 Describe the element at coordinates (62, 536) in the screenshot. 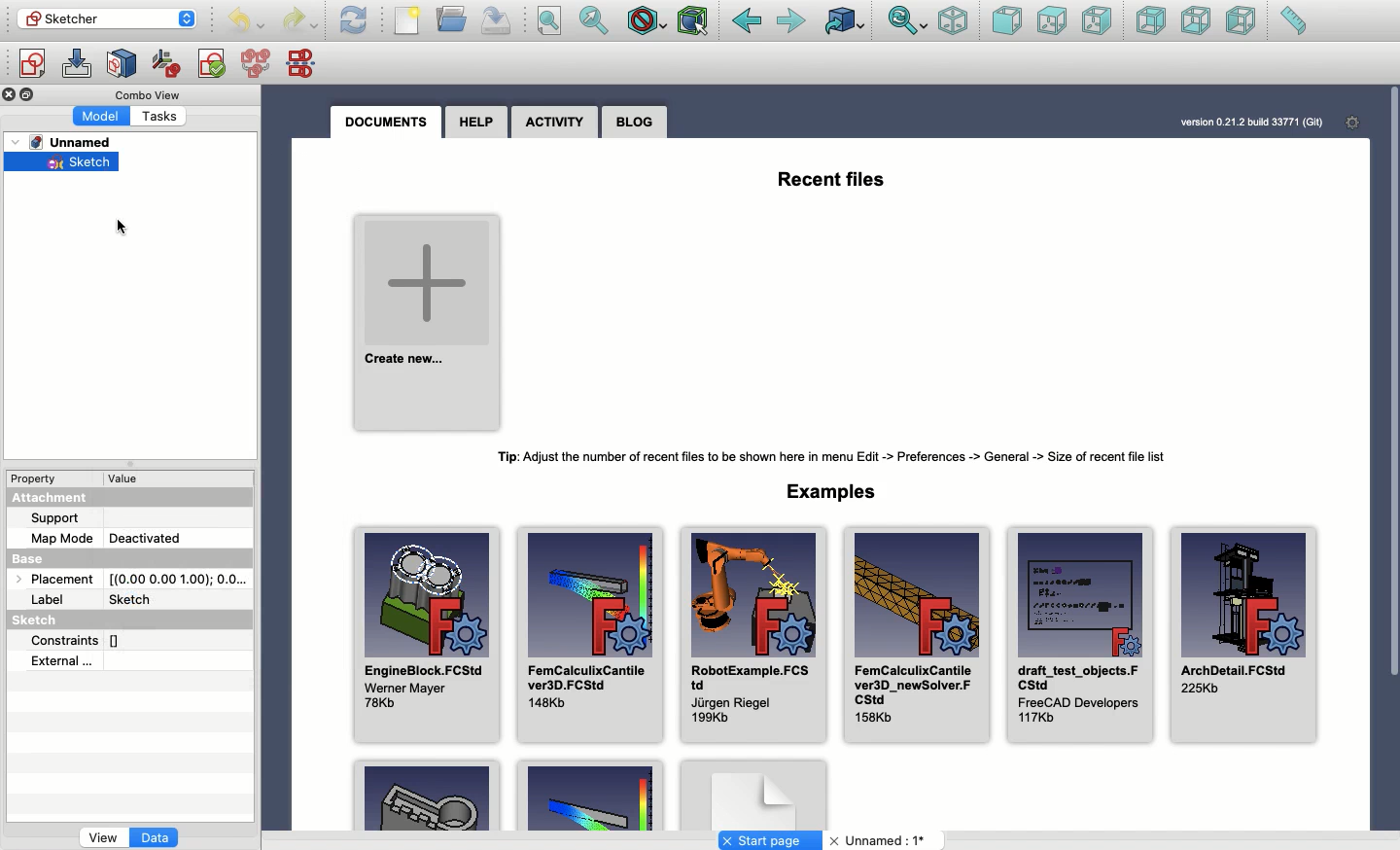

I see `Map mode` at that location.